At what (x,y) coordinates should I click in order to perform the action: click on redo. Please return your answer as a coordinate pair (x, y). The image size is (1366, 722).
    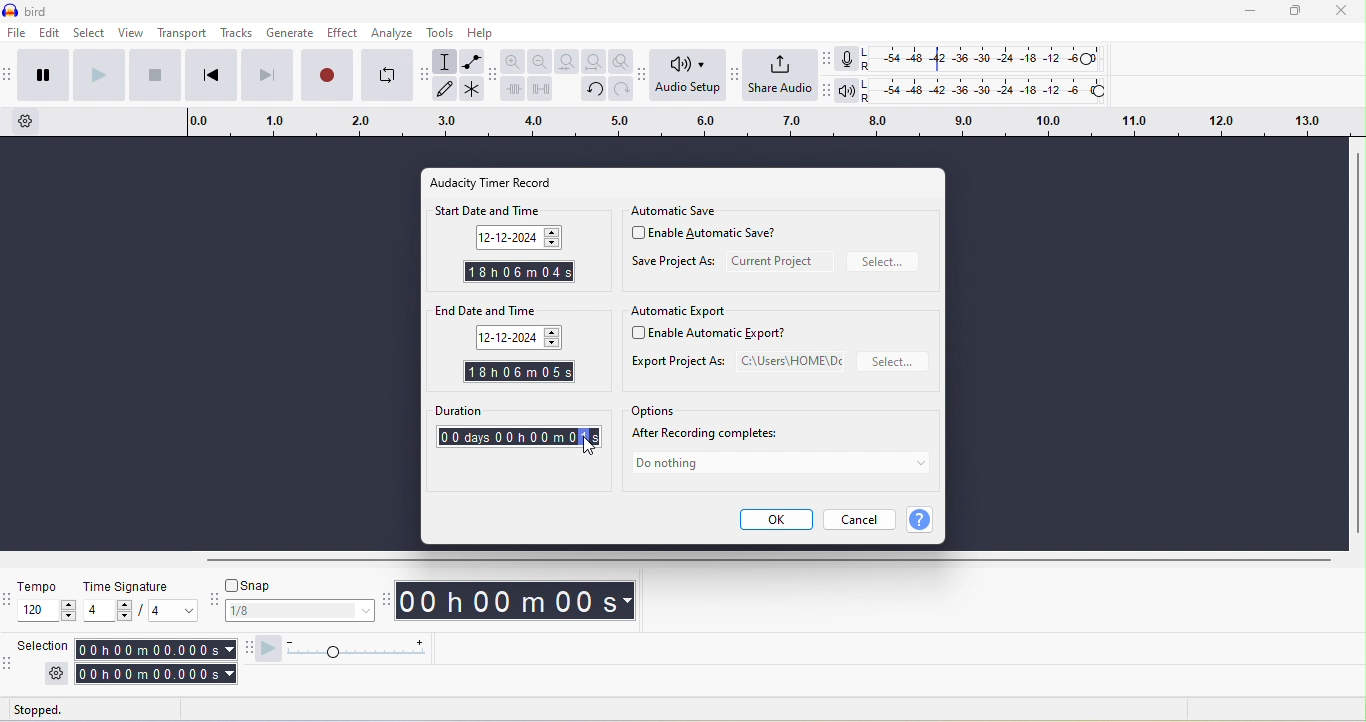
    Looking at the image, I should click on (624, 91).